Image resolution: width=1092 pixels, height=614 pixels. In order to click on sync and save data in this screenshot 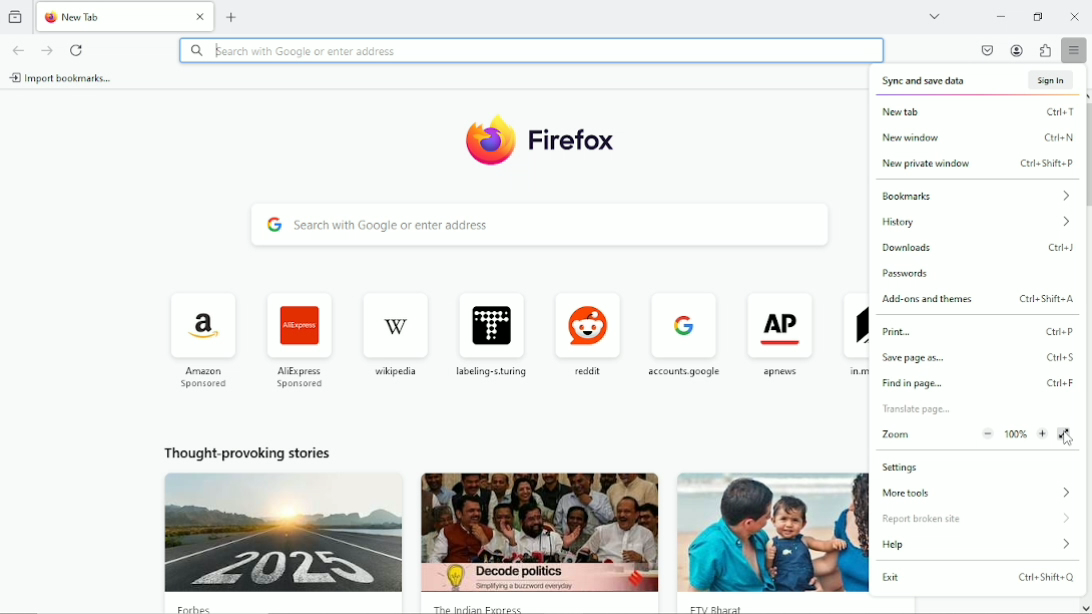, I will do `click(930, 80)`.